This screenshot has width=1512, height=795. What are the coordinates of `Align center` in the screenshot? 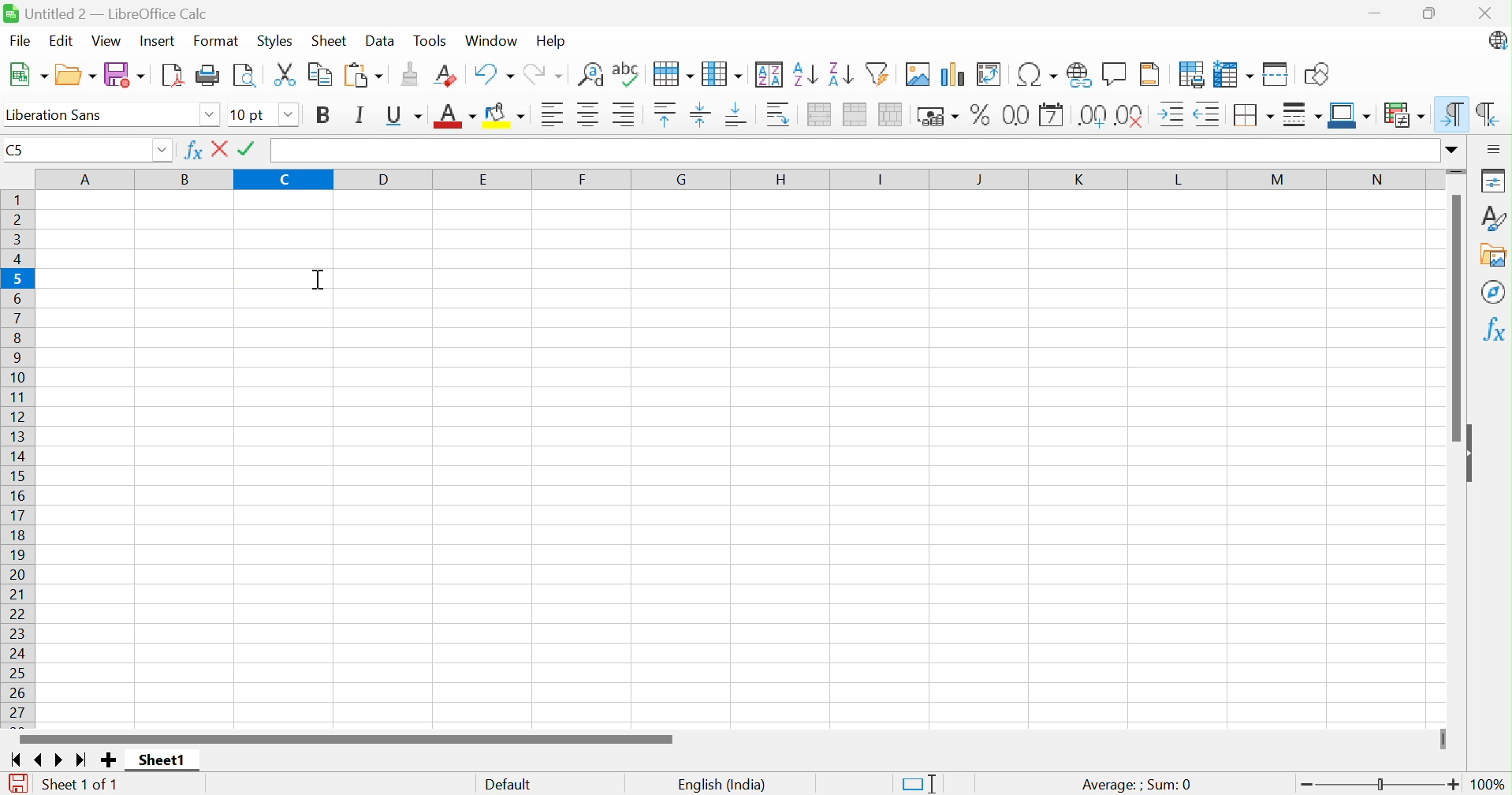 It's located at (590, 115).